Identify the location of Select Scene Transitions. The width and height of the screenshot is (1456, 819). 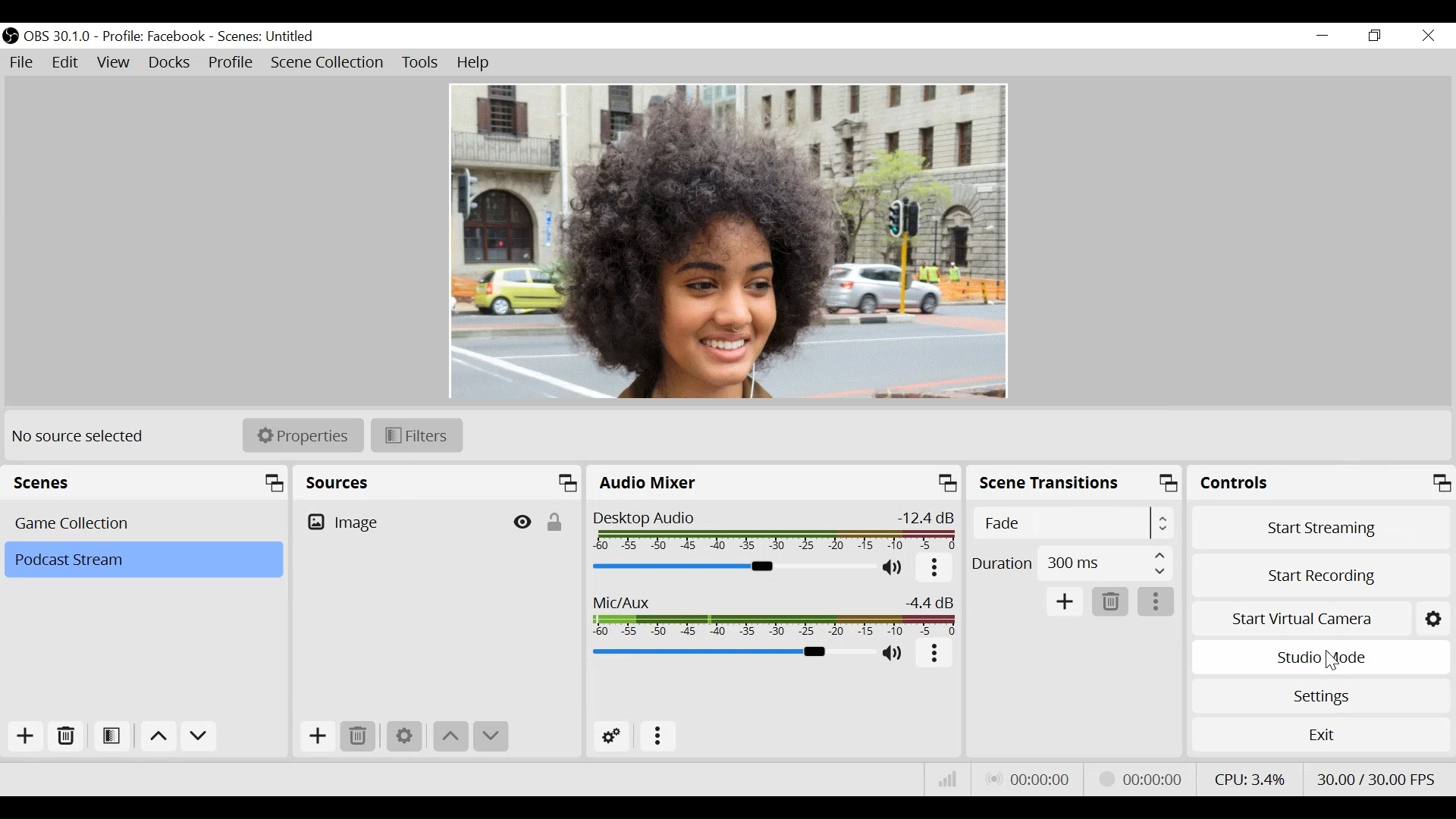
(1075, 522).